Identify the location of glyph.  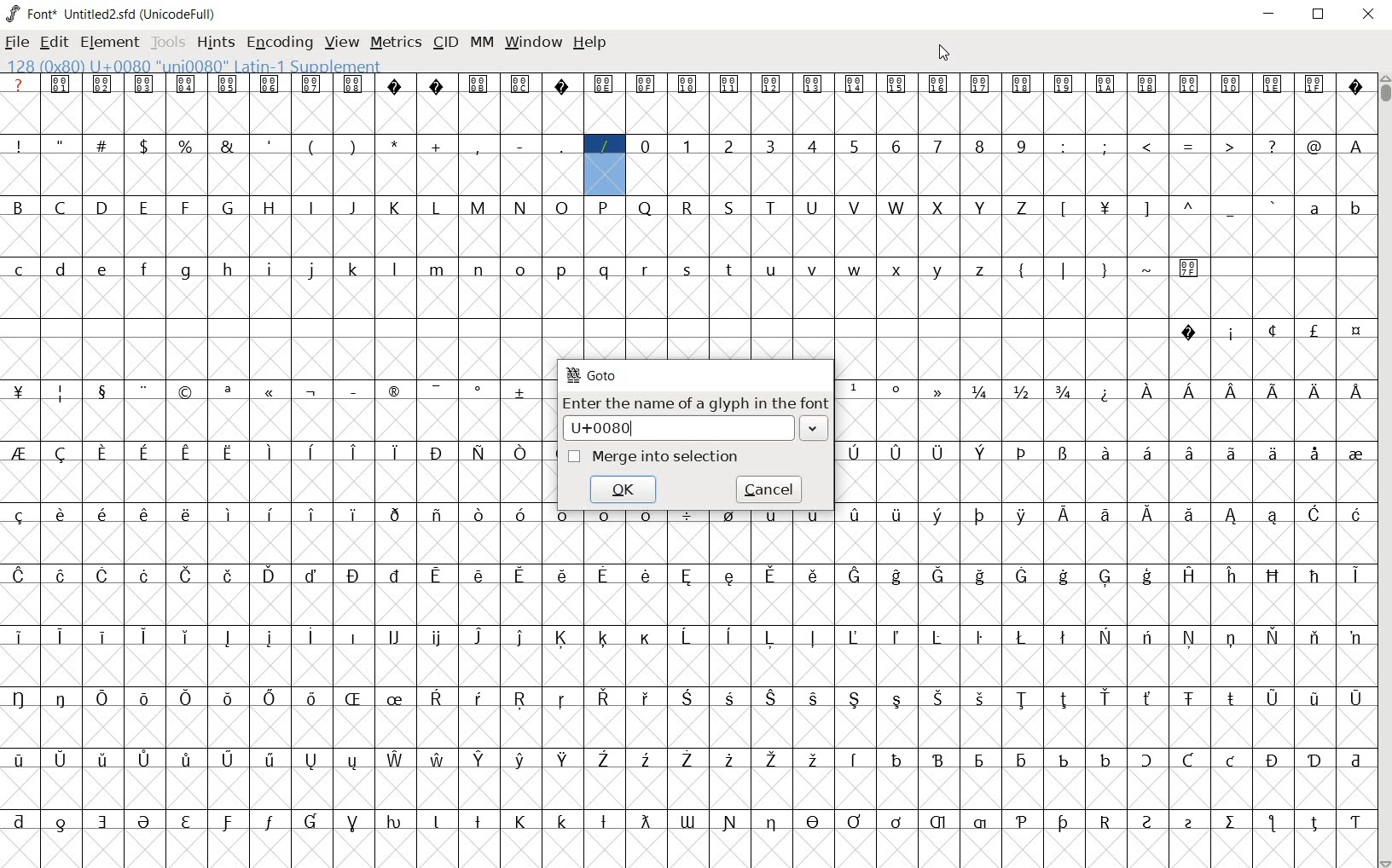
(1356, 89).